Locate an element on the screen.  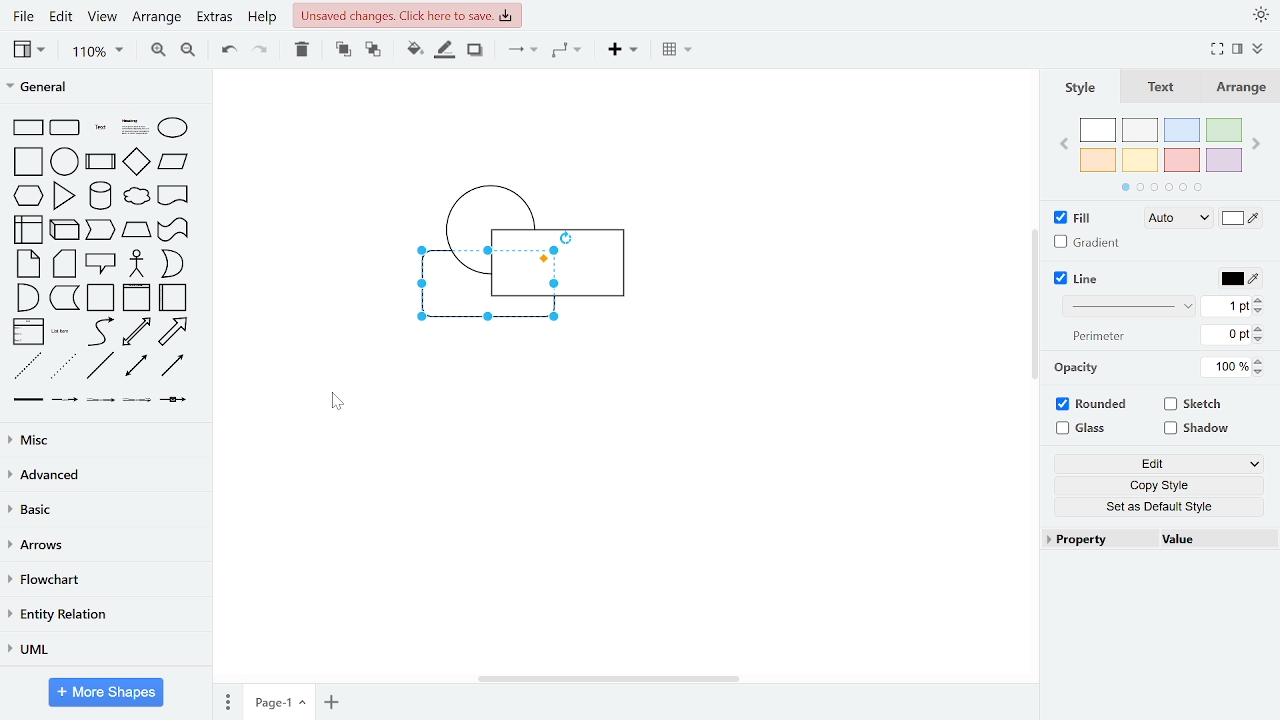
hexagon is located at coordinates (28, 196).